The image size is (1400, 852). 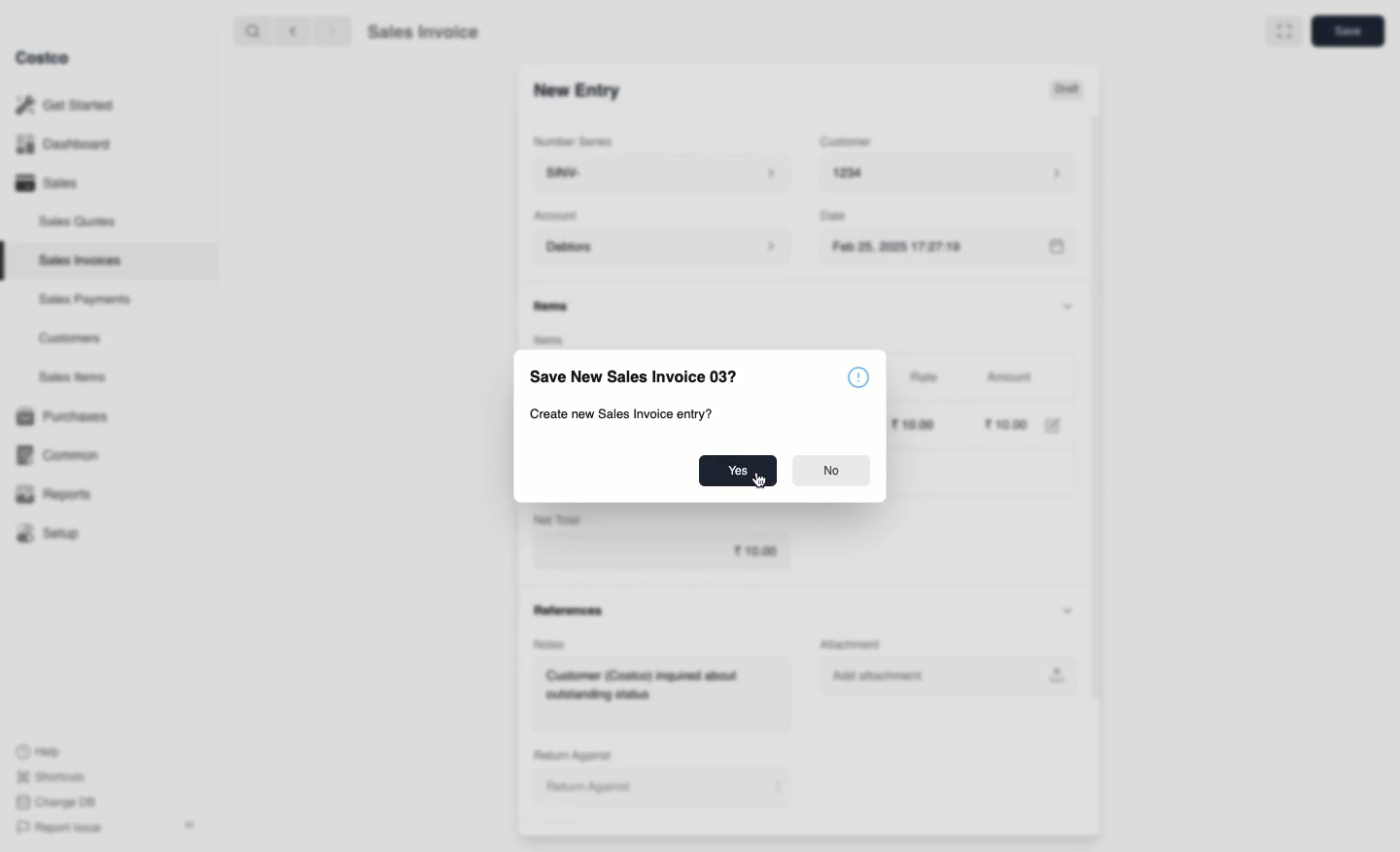 I want to click on 1 Purchases, so click(x=67, y=417).